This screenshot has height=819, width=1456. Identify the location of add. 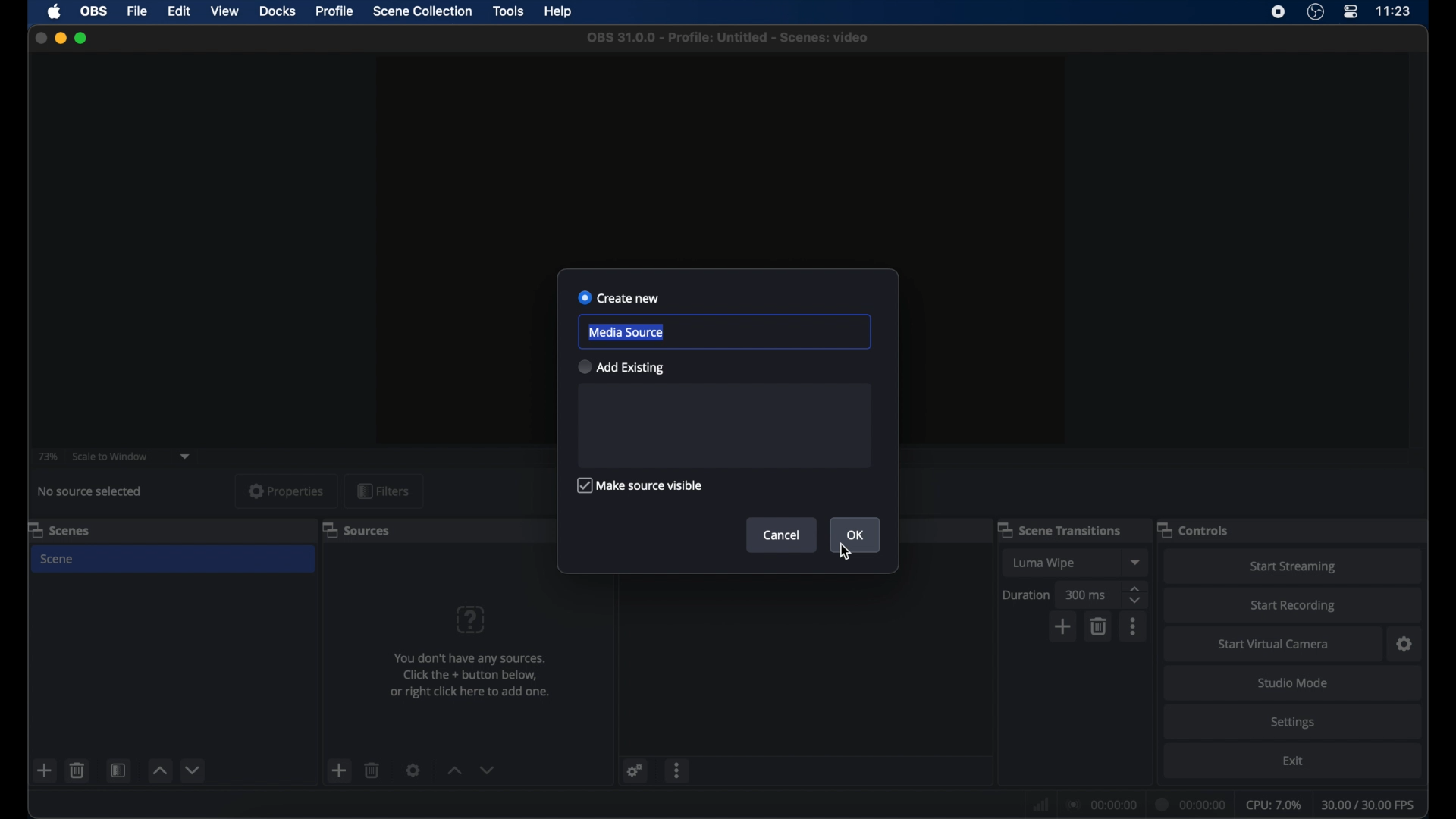
(1064, 627).